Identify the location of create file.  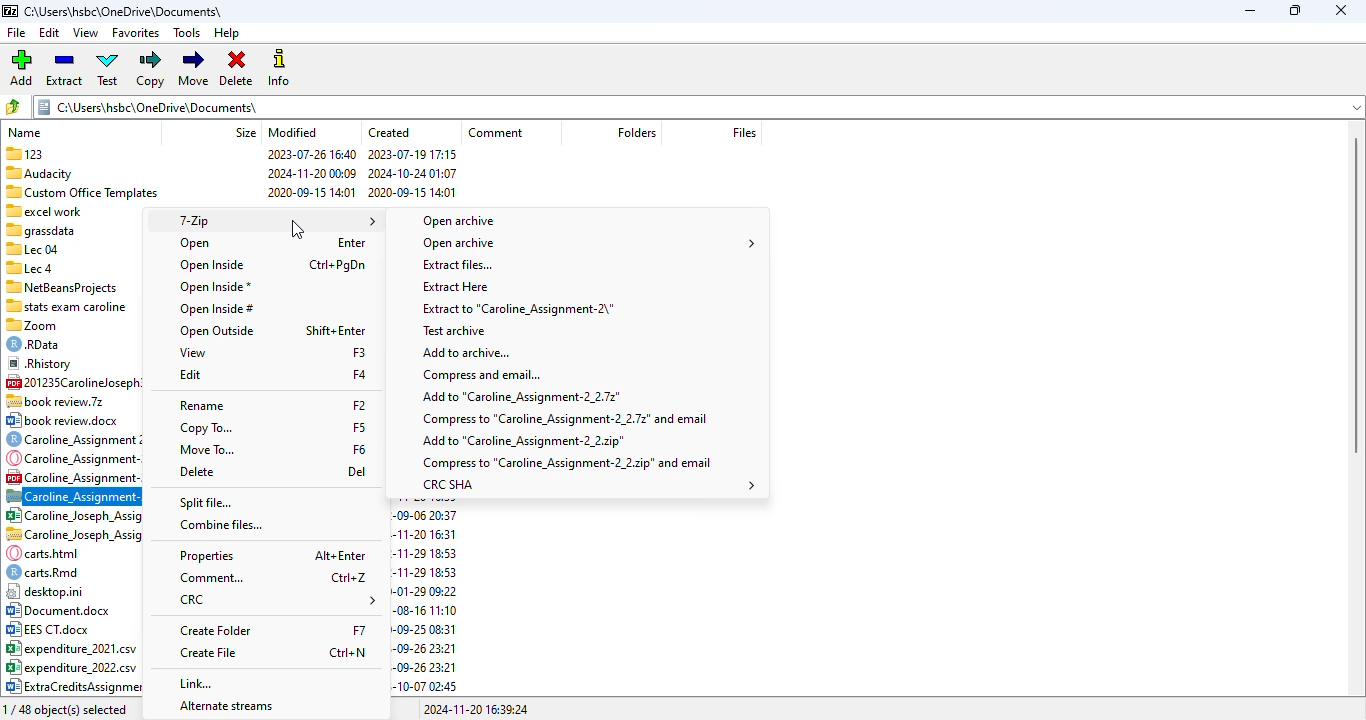
(209, 652).